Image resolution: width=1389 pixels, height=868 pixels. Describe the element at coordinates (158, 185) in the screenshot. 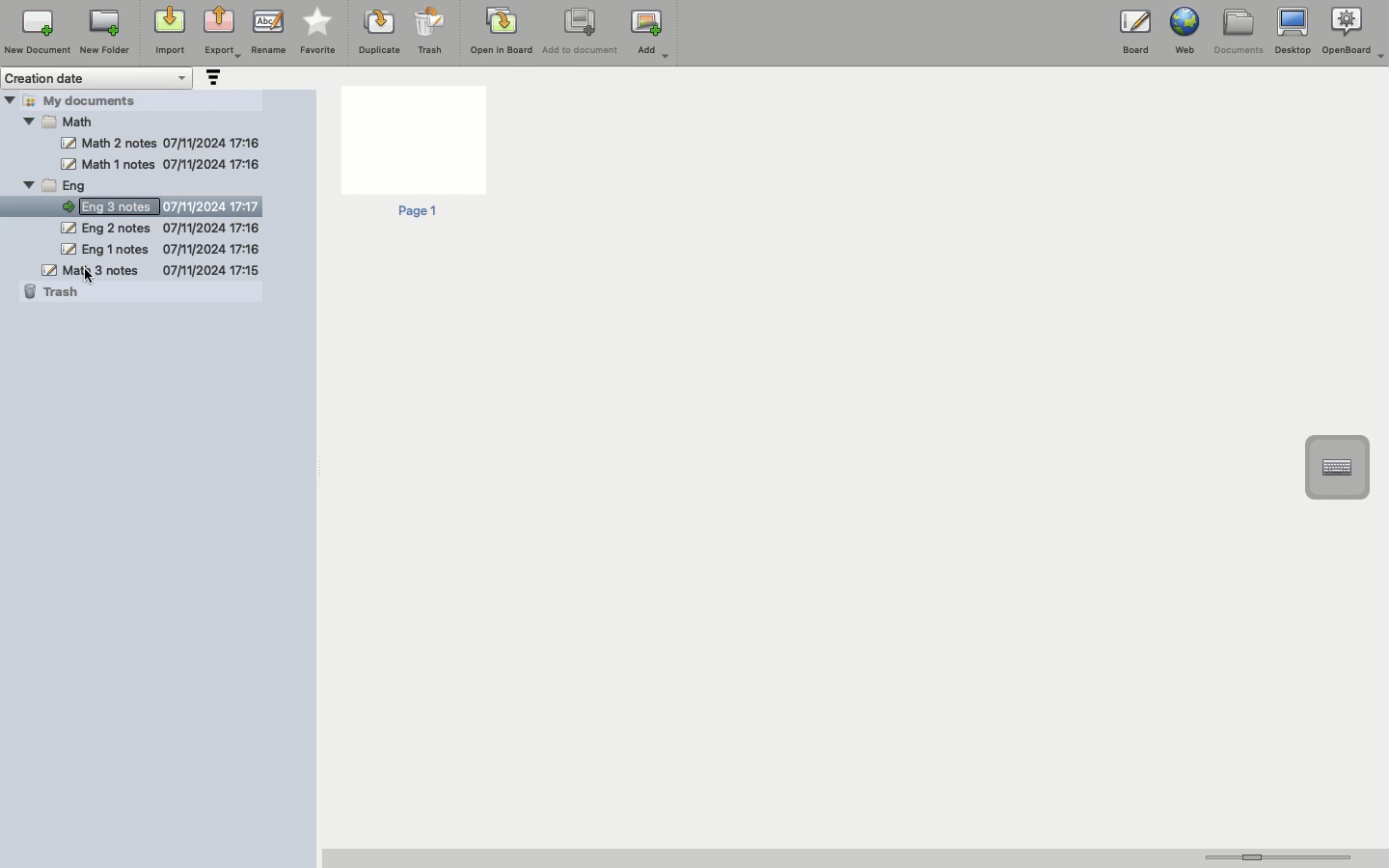

I see `eng` at that location.